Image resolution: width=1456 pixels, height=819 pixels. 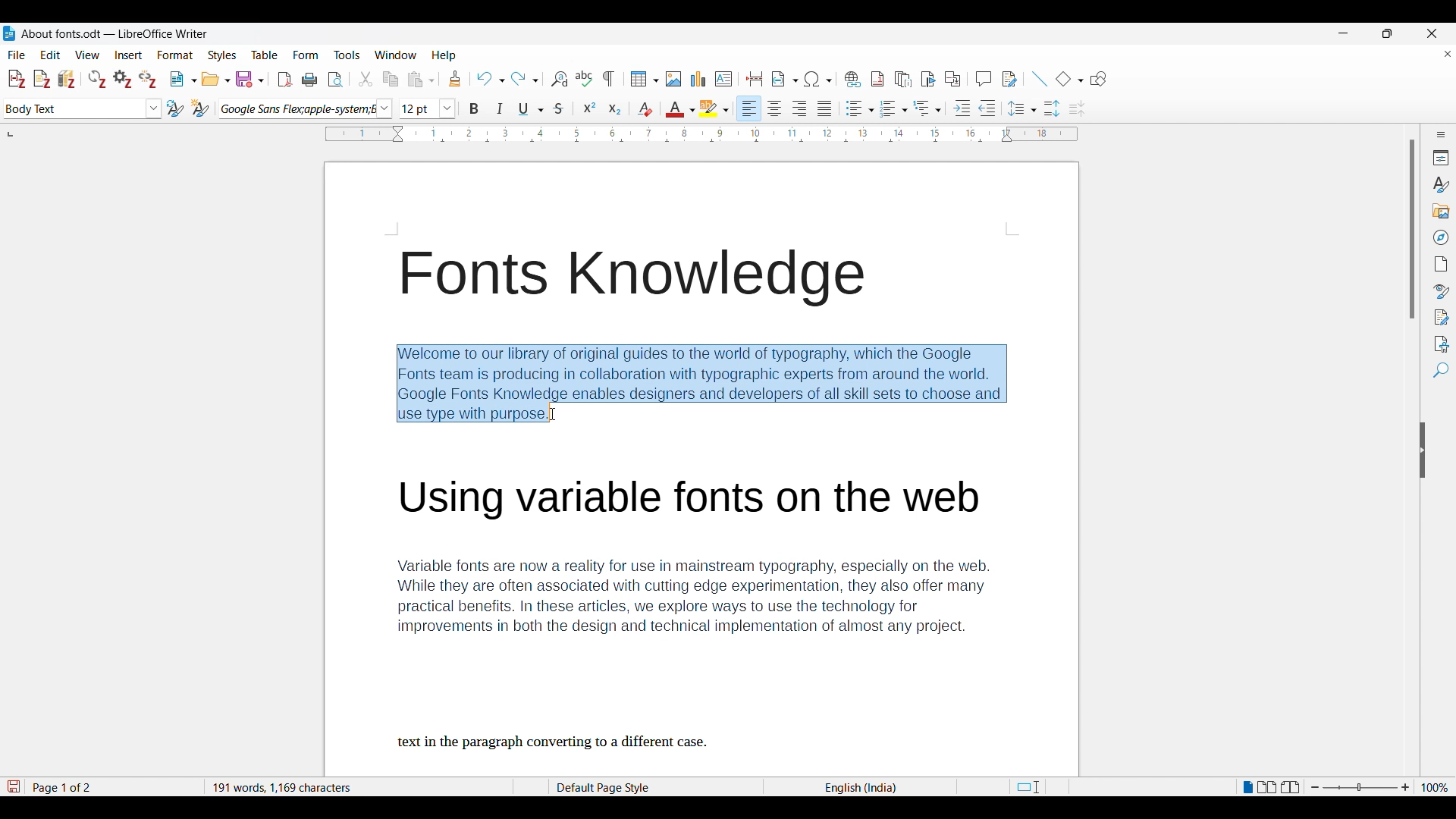 What do you see at coordinates (1442, 237) in the screenshot?
I see `Navigator` at bounding box center [1442, 237].